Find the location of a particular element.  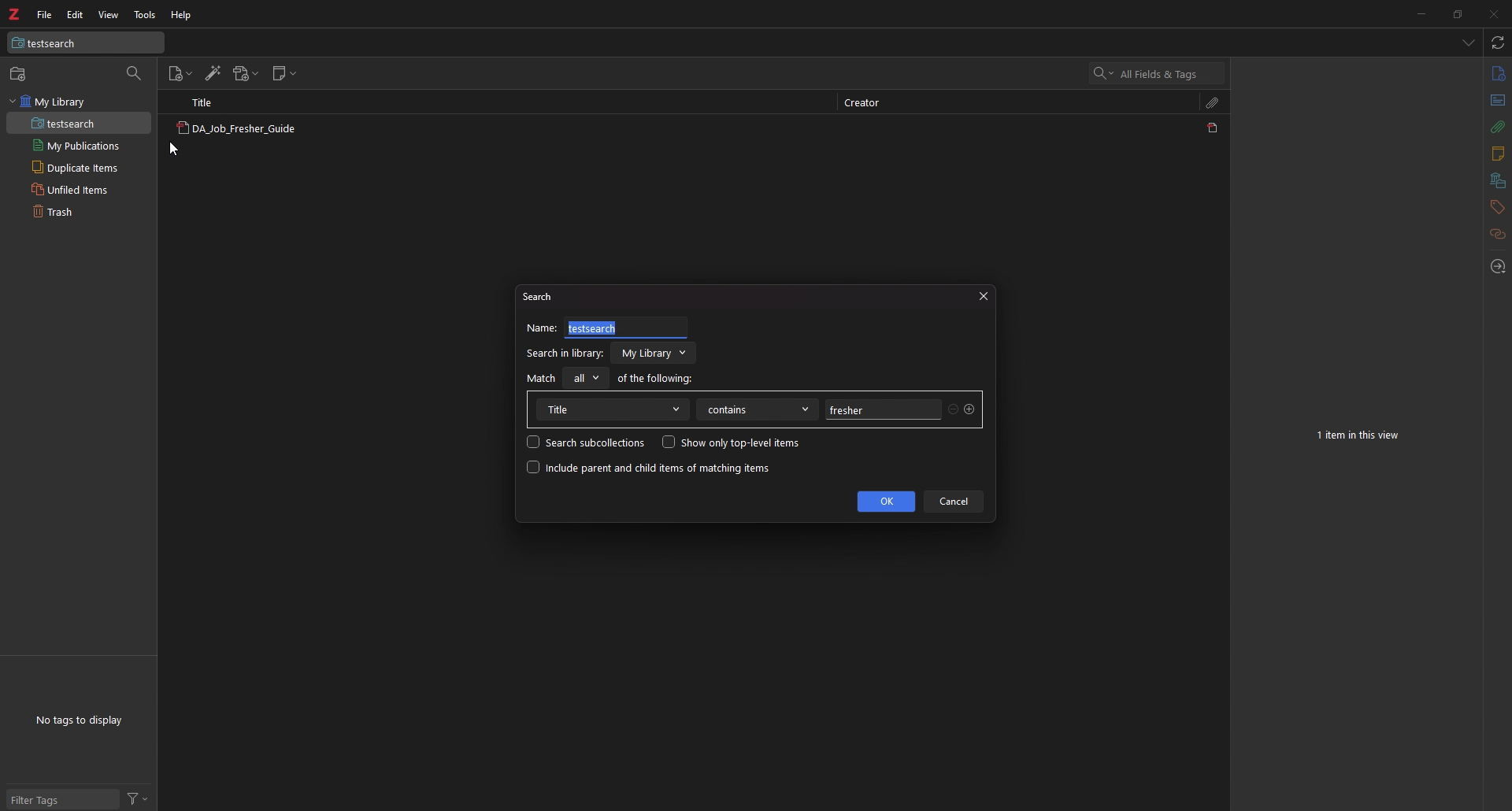

pdf is located at coordinates (1214, 128).